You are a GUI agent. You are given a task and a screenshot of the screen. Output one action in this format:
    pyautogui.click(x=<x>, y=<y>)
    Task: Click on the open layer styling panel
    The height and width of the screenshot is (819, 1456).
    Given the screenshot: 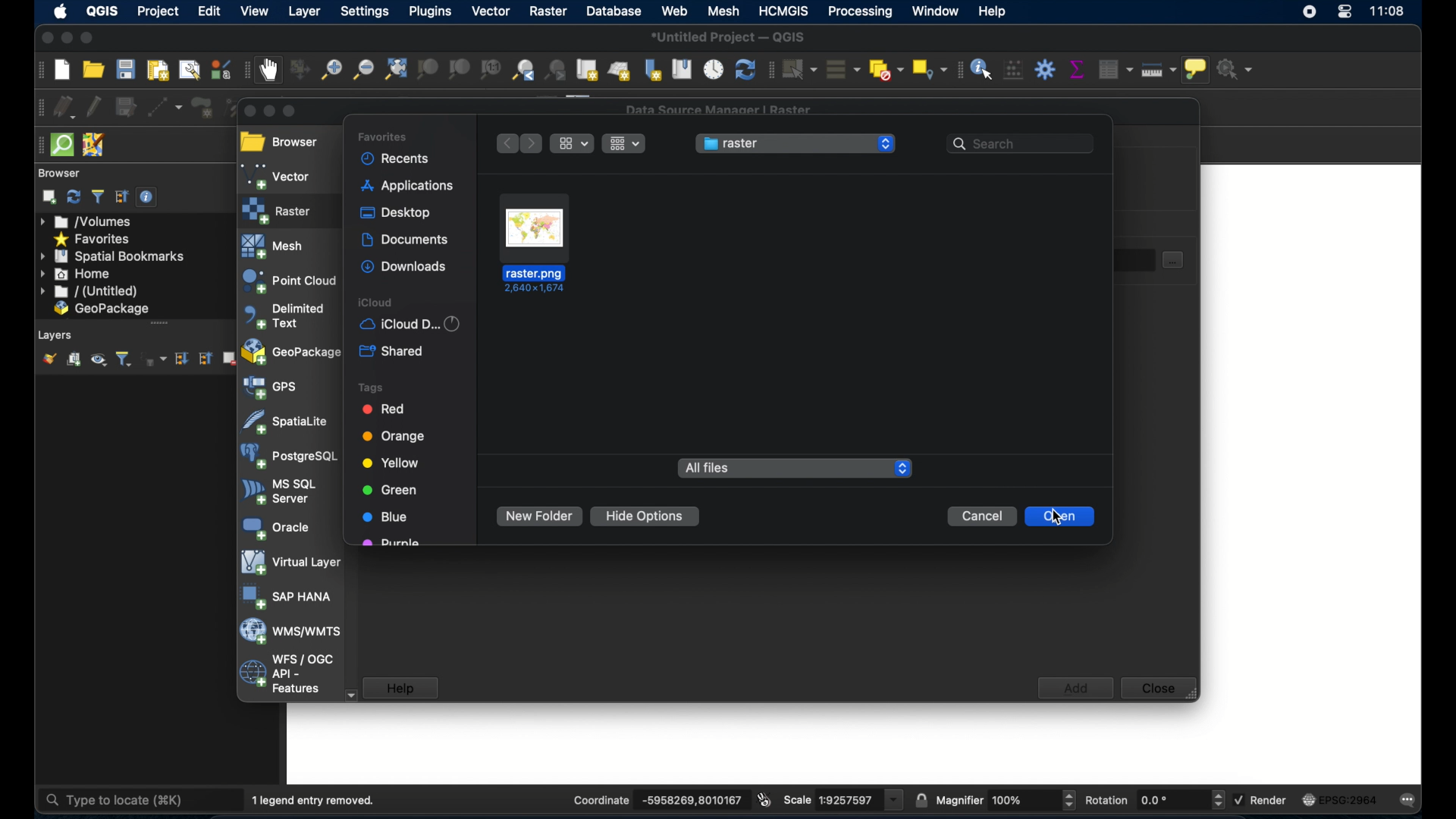 What is the action you would take?
    pyautogui.click(x=49, y=358)
    